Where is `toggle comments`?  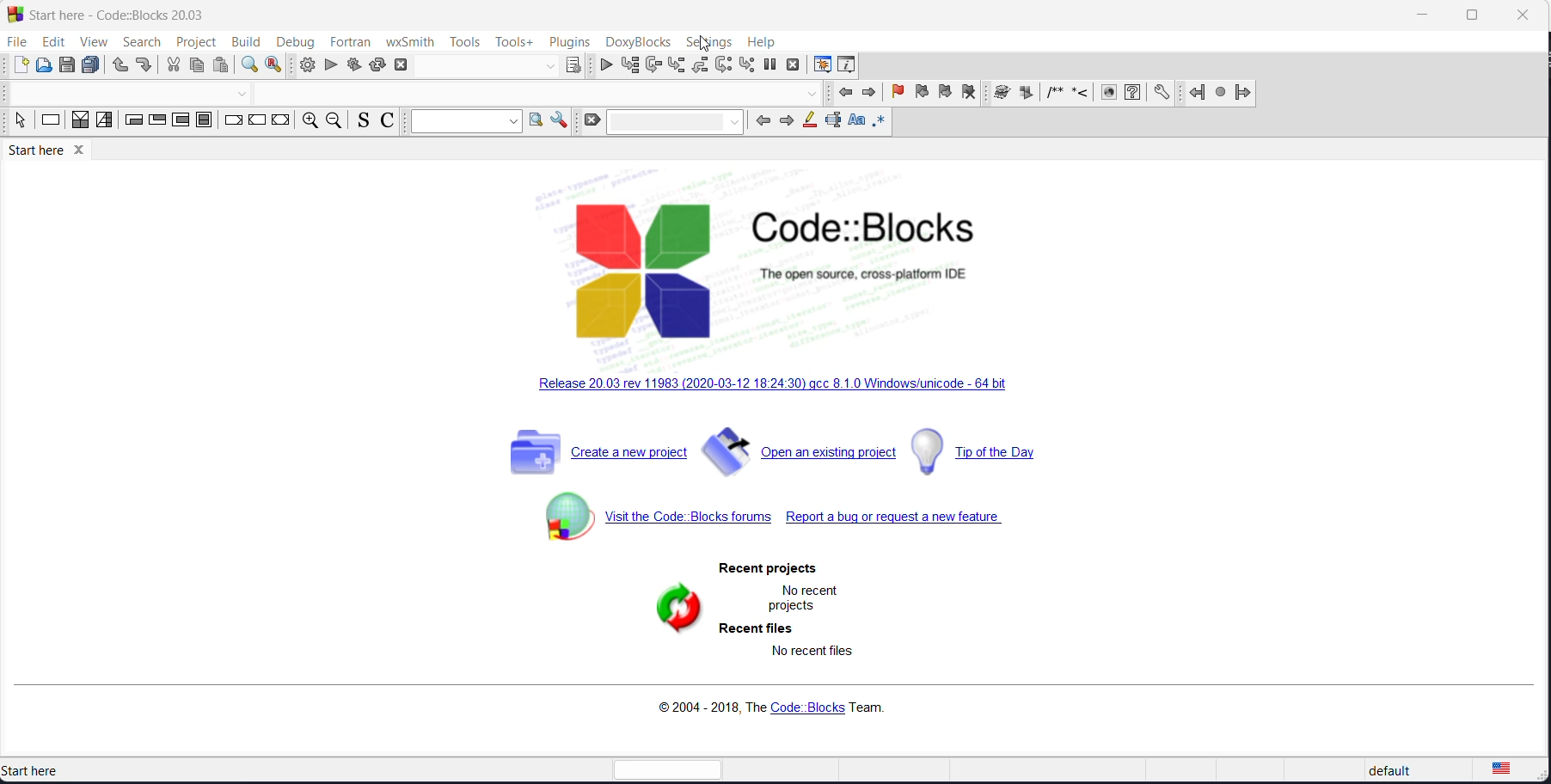 toggle comments is located at coordinates (391, 121).